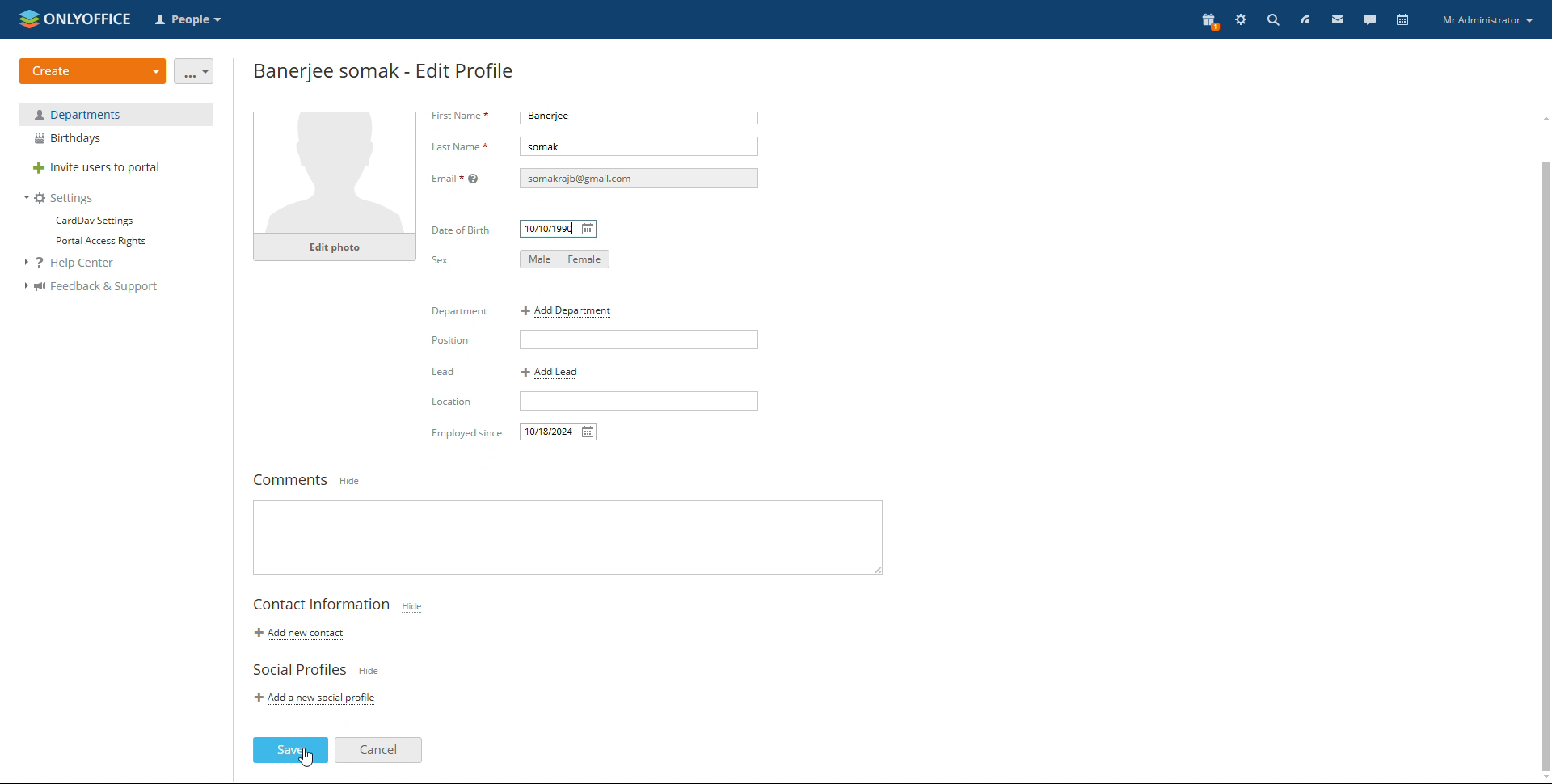  Describe the element at coordinates (95, 242) in the screenshot. I see `portal access rights` at that location.